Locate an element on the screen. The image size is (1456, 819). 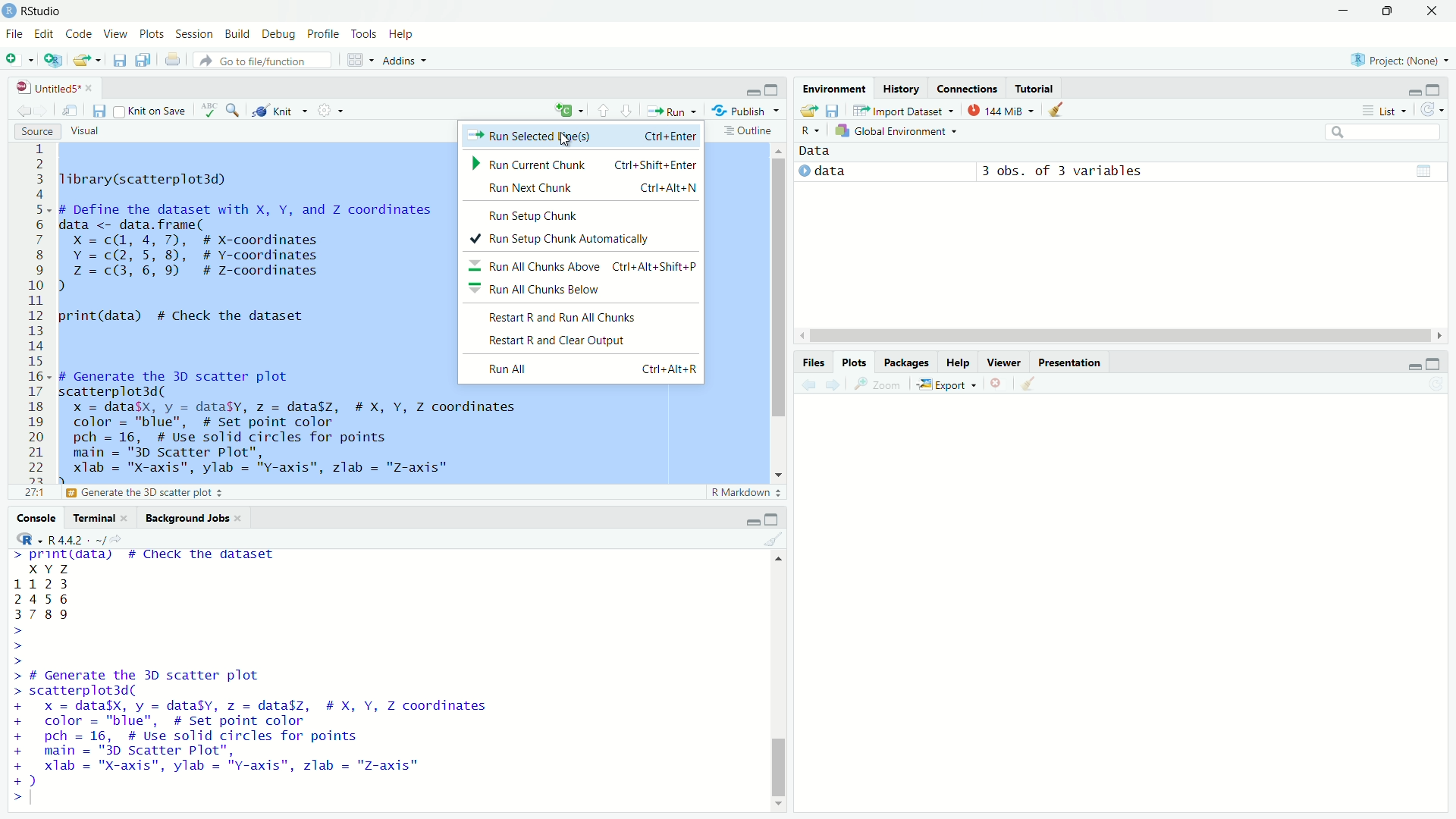
background jobs is located at coordinates (186, 518).